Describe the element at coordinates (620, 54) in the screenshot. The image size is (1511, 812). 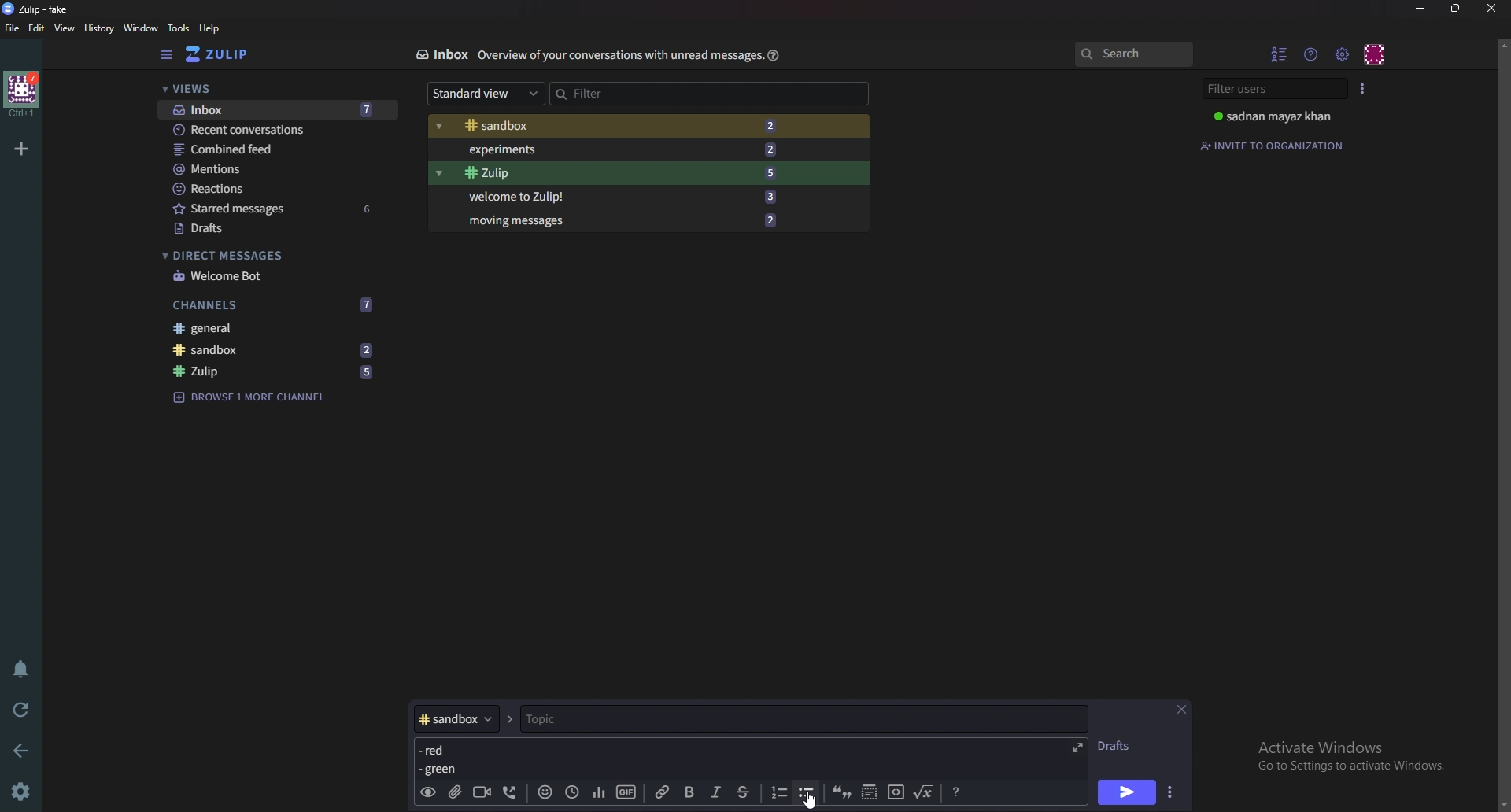
I see `Info` at that location.